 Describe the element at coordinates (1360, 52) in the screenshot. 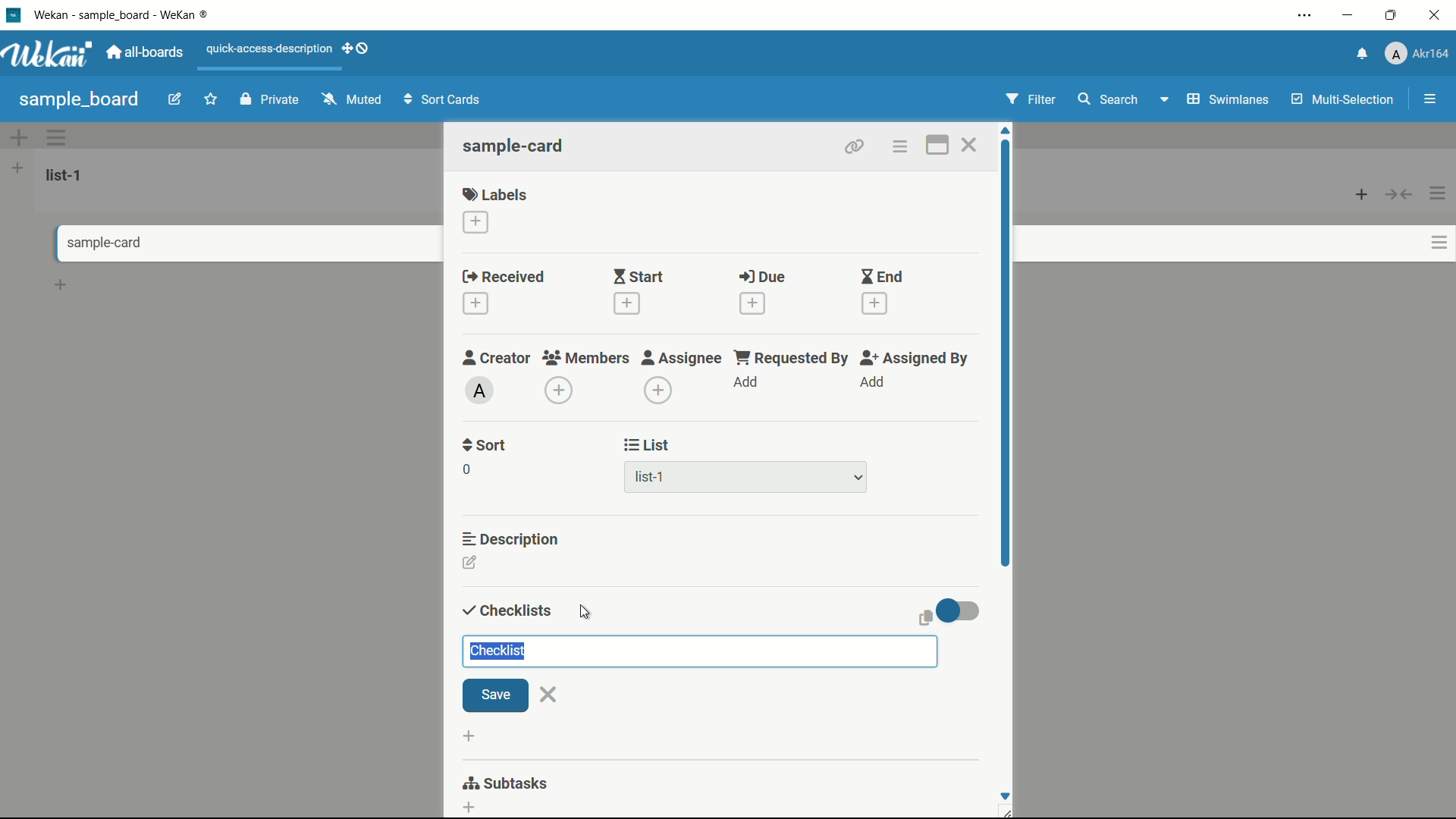

I see `notifications` at that location.